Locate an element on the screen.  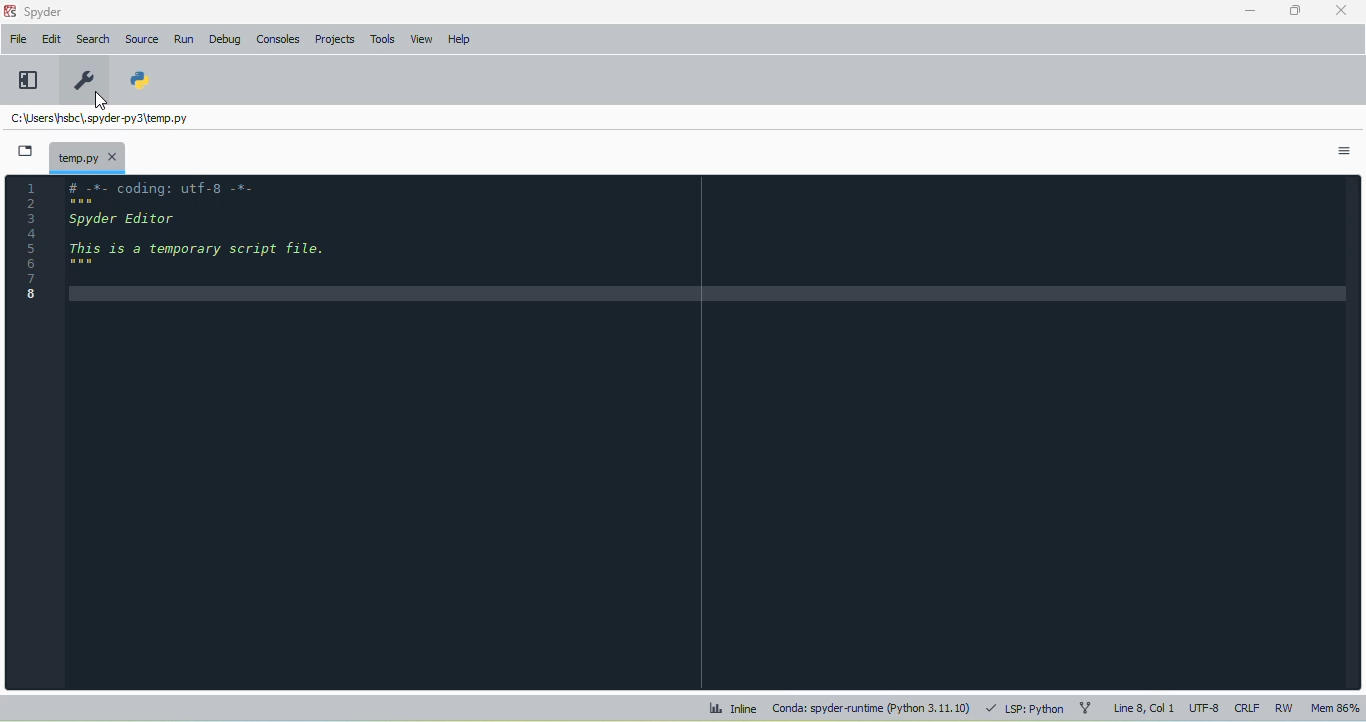
temporary file is located at coordinates (87, 156).